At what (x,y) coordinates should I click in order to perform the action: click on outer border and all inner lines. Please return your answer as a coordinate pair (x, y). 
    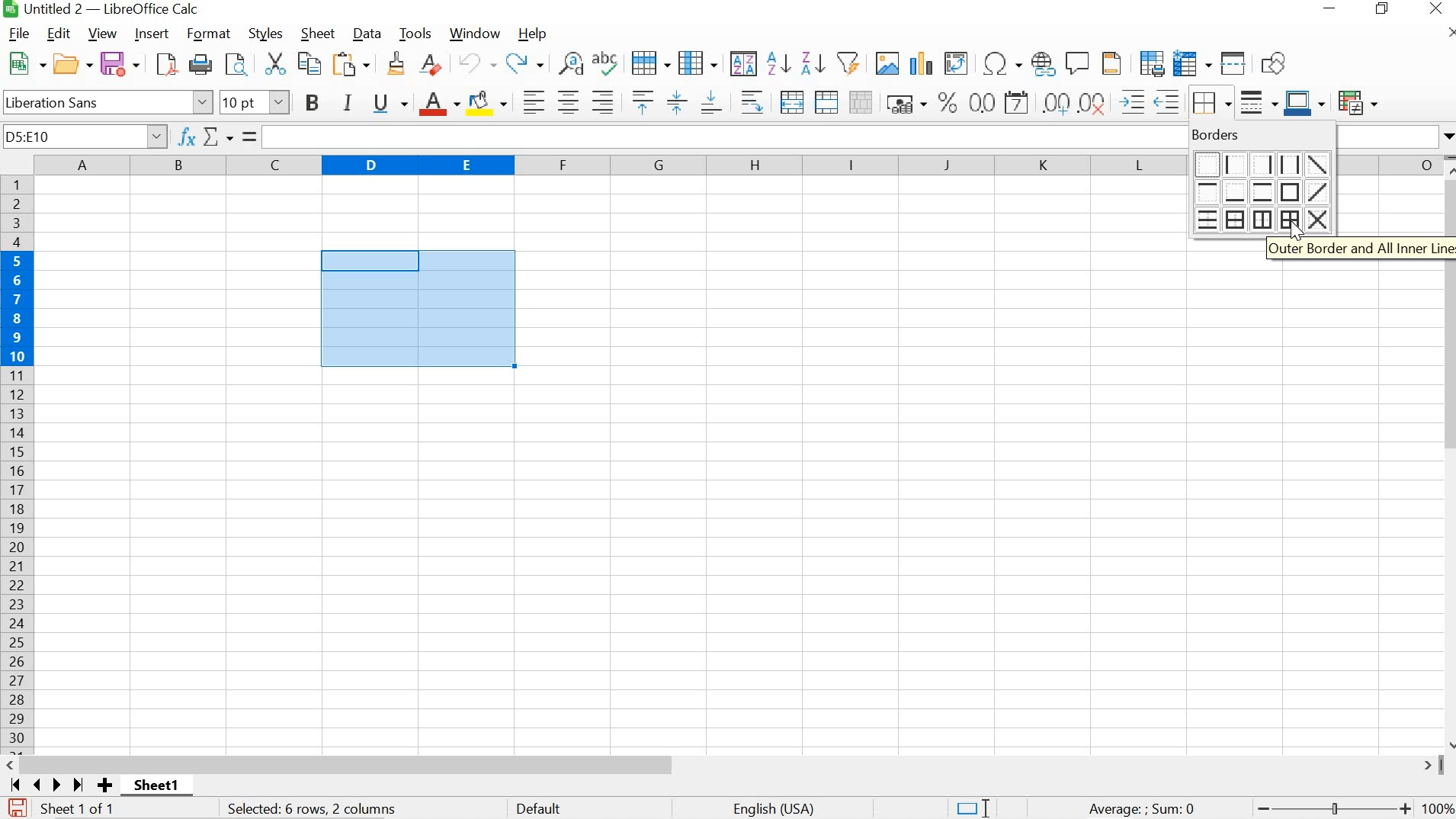
    Looking at the image, I should click on (1358, 250).